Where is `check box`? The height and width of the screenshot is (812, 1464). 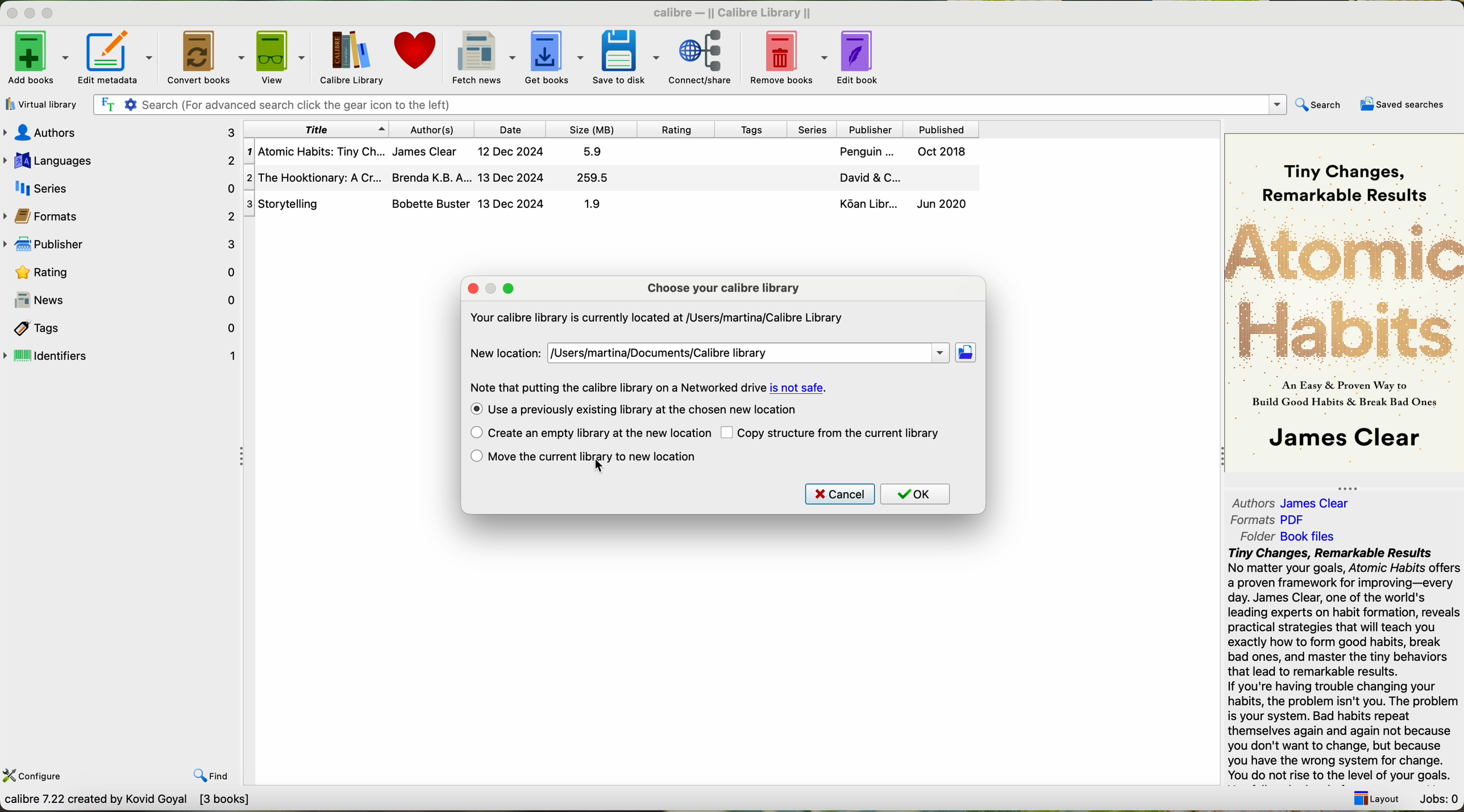
check box is located at coordinates (476, 457).